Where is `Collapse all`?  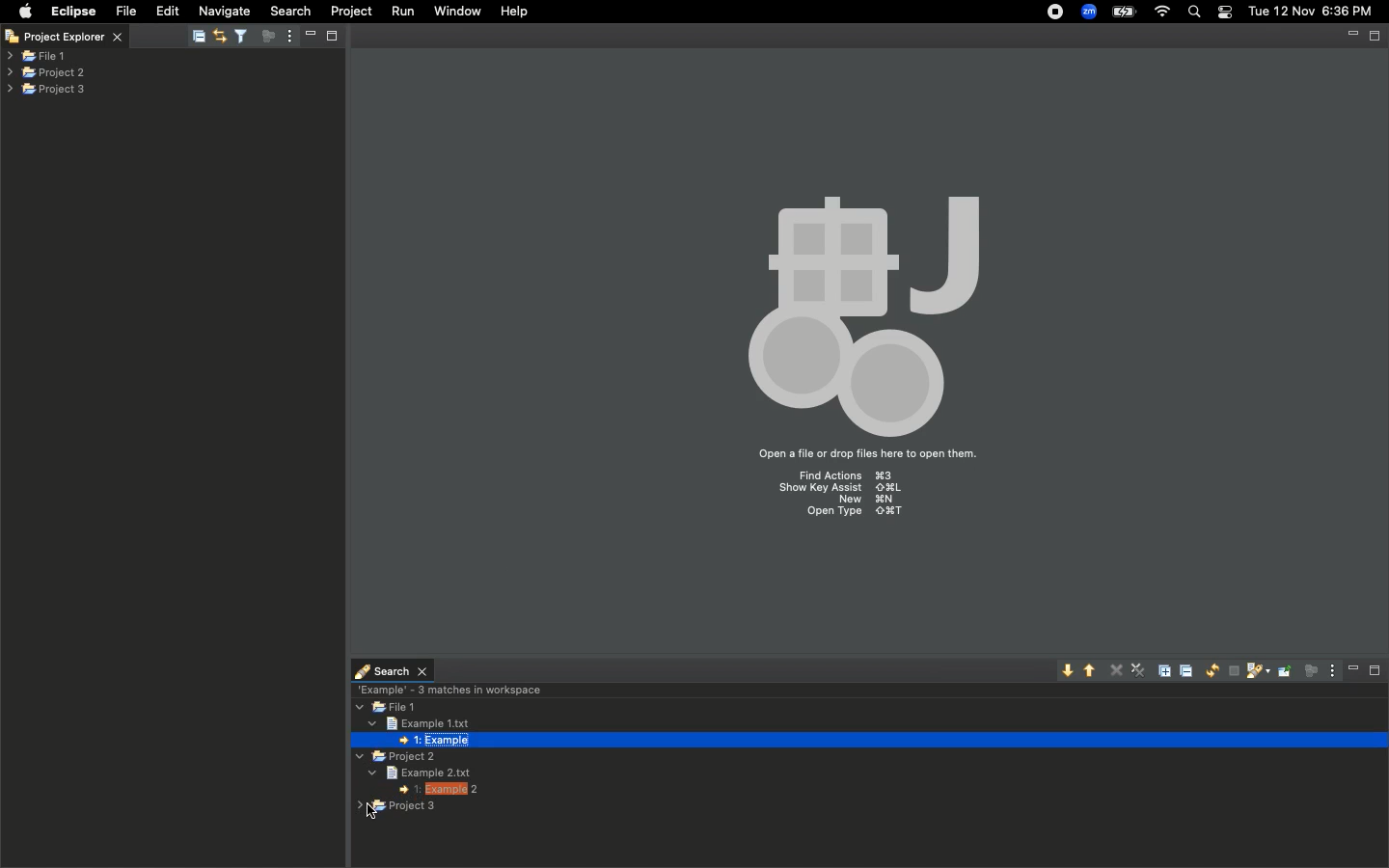
Collapse all is located at coordinates (1189, 670).